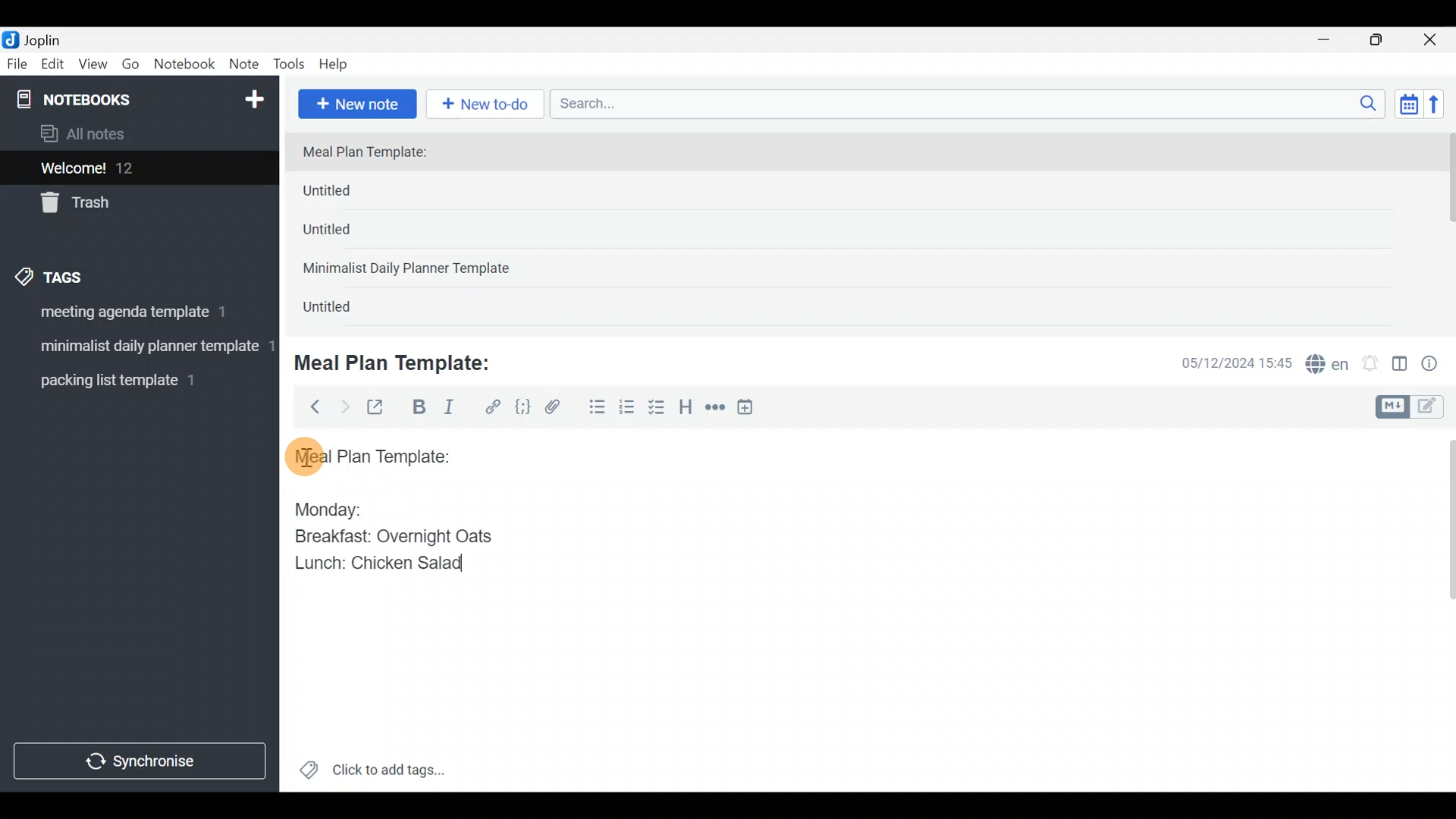 The image size is (1456, 819). Describe the element at coordinates (1436, 365) in the screenshot. I see `Note properties` at that location.